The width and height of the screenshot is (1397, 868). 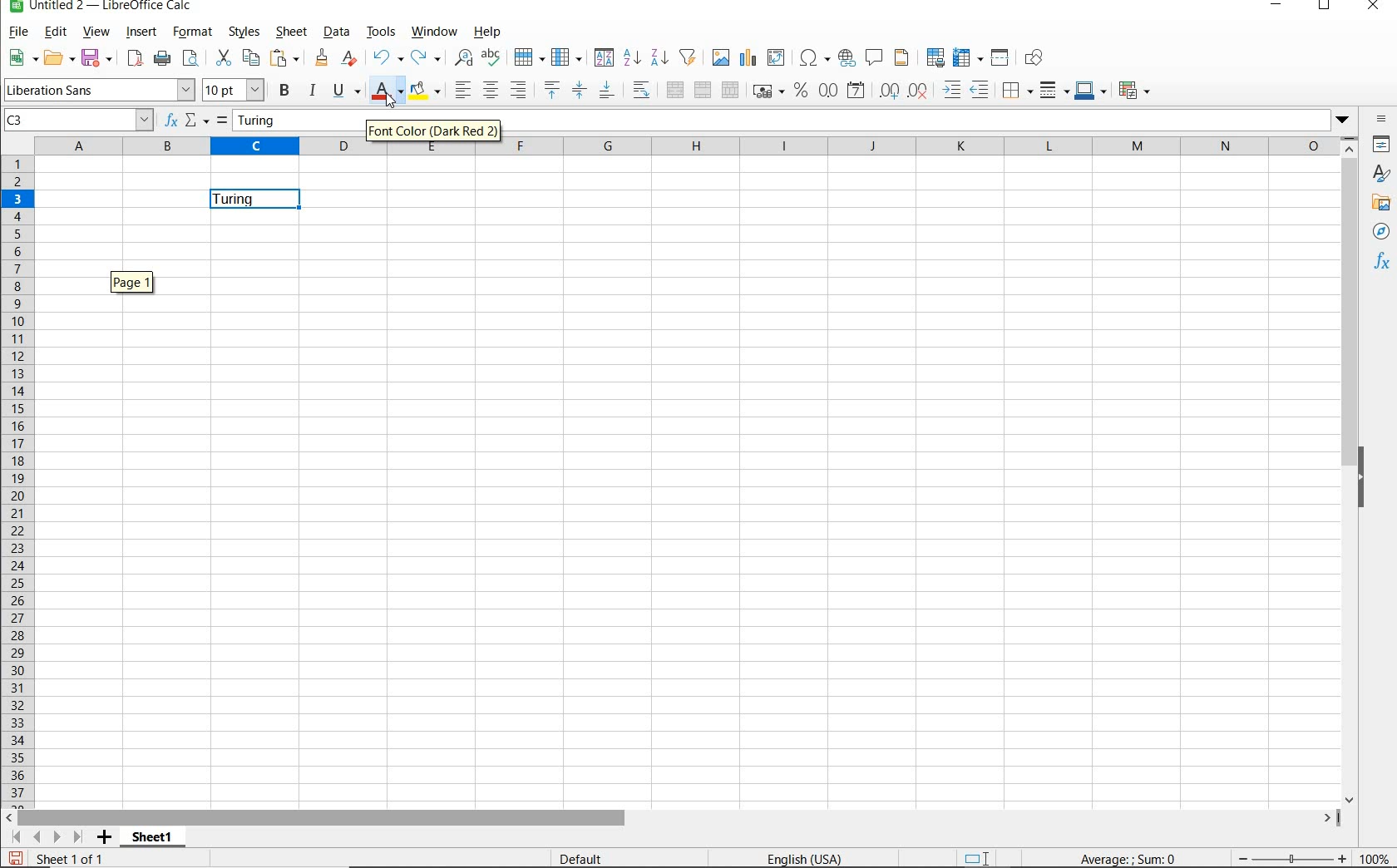 I want to click on ZOOM FACTOR, so click(x=1376, y=859).